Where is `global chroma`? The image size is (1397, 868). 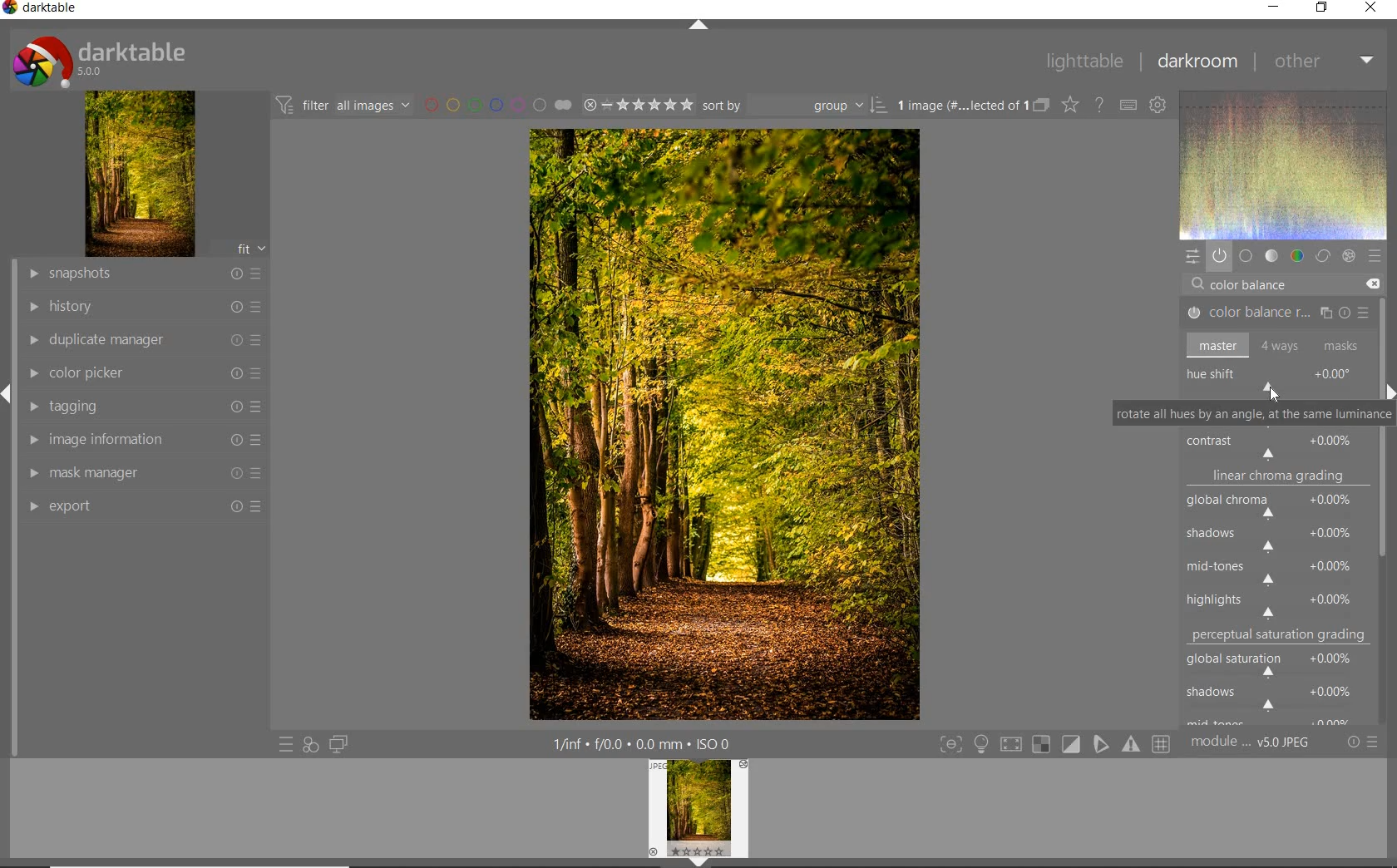 global chroma is located at coordinates (1279, 508).